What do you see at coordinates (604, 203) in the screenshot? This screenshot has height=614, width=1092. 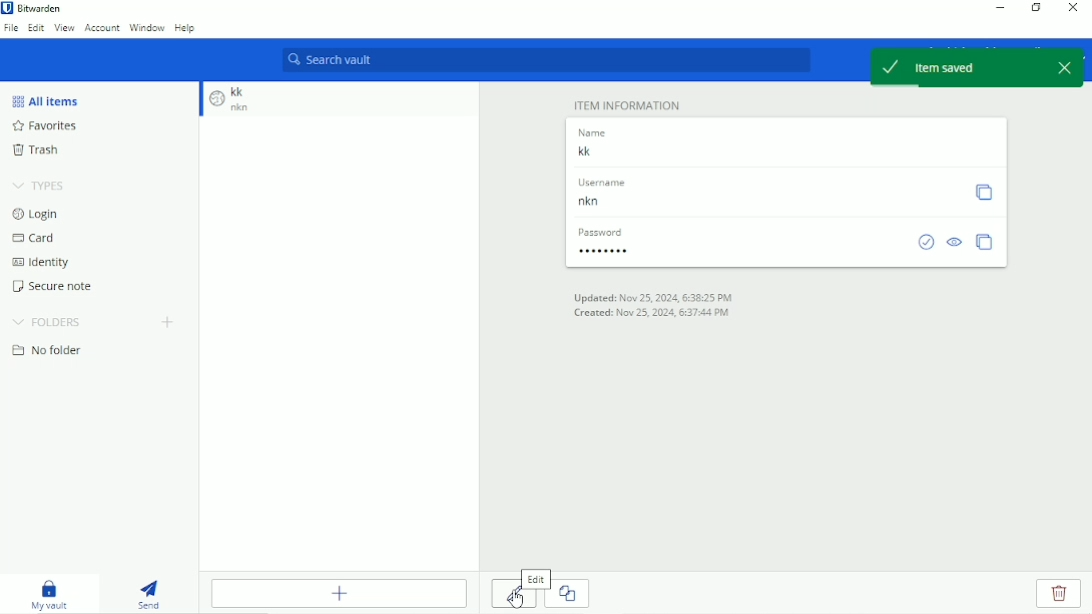 I see `Username` at bounding box center [604, 203].